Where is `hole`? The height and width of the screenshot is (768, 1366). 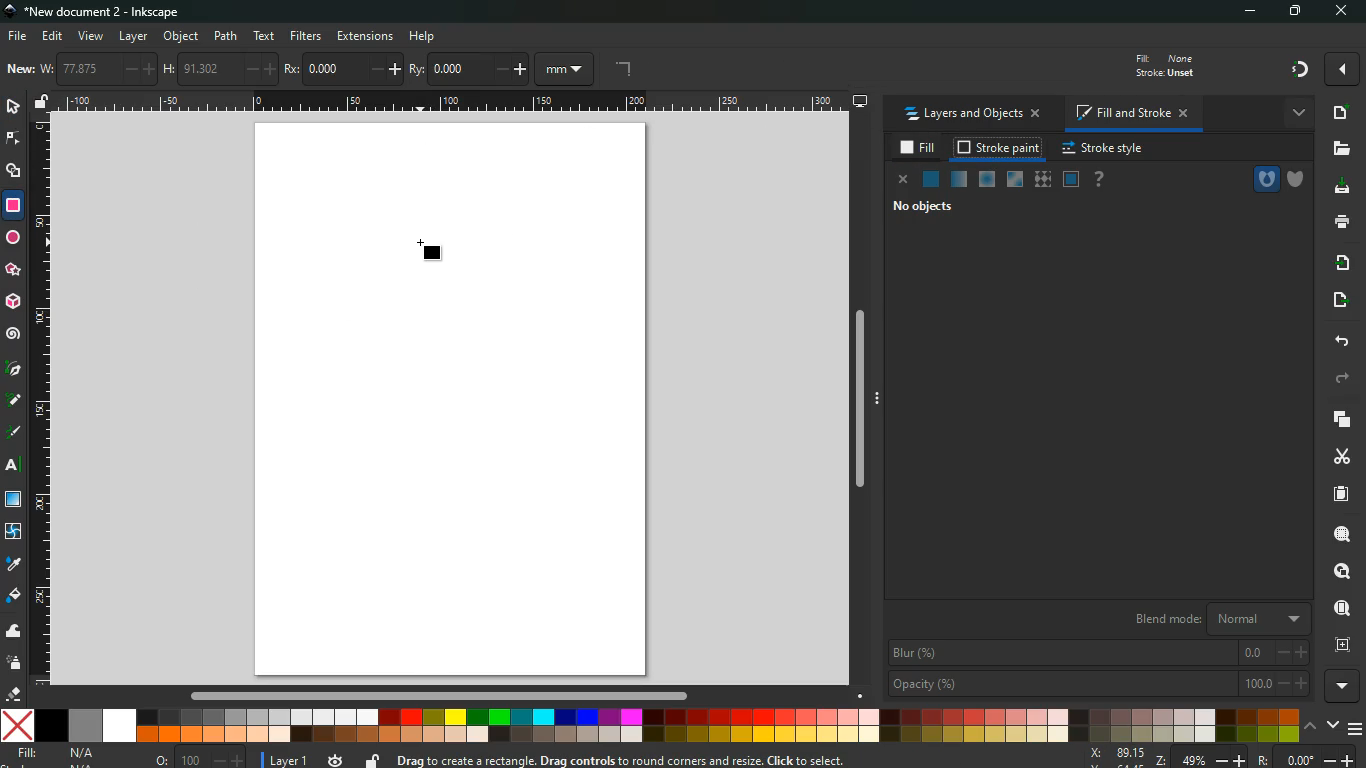
hole is located at coordinates (1258, 180).